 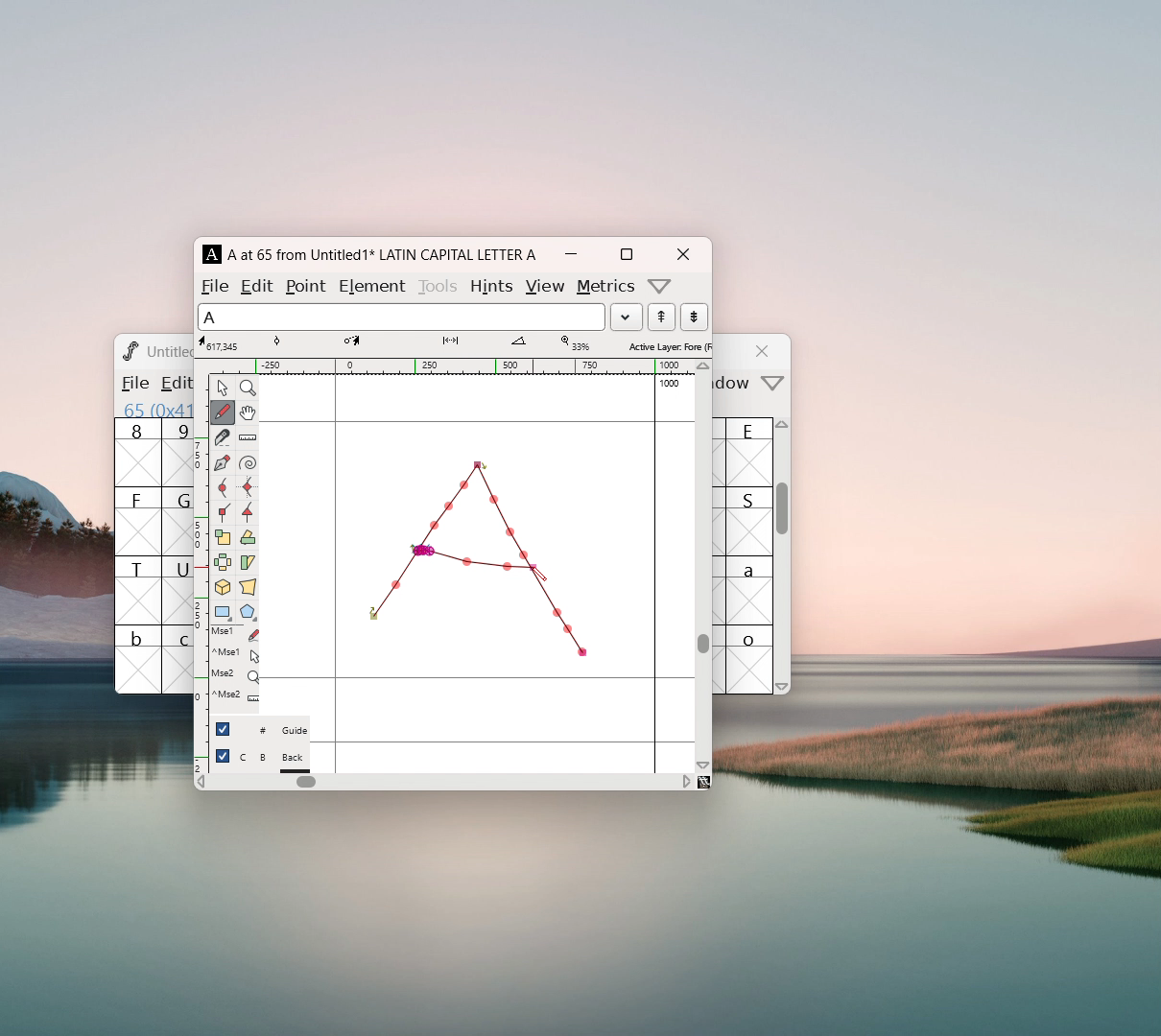 What do you see at coordinates (137, 453) in the screenshot?
I see `8` at bounding box center [137, 453].